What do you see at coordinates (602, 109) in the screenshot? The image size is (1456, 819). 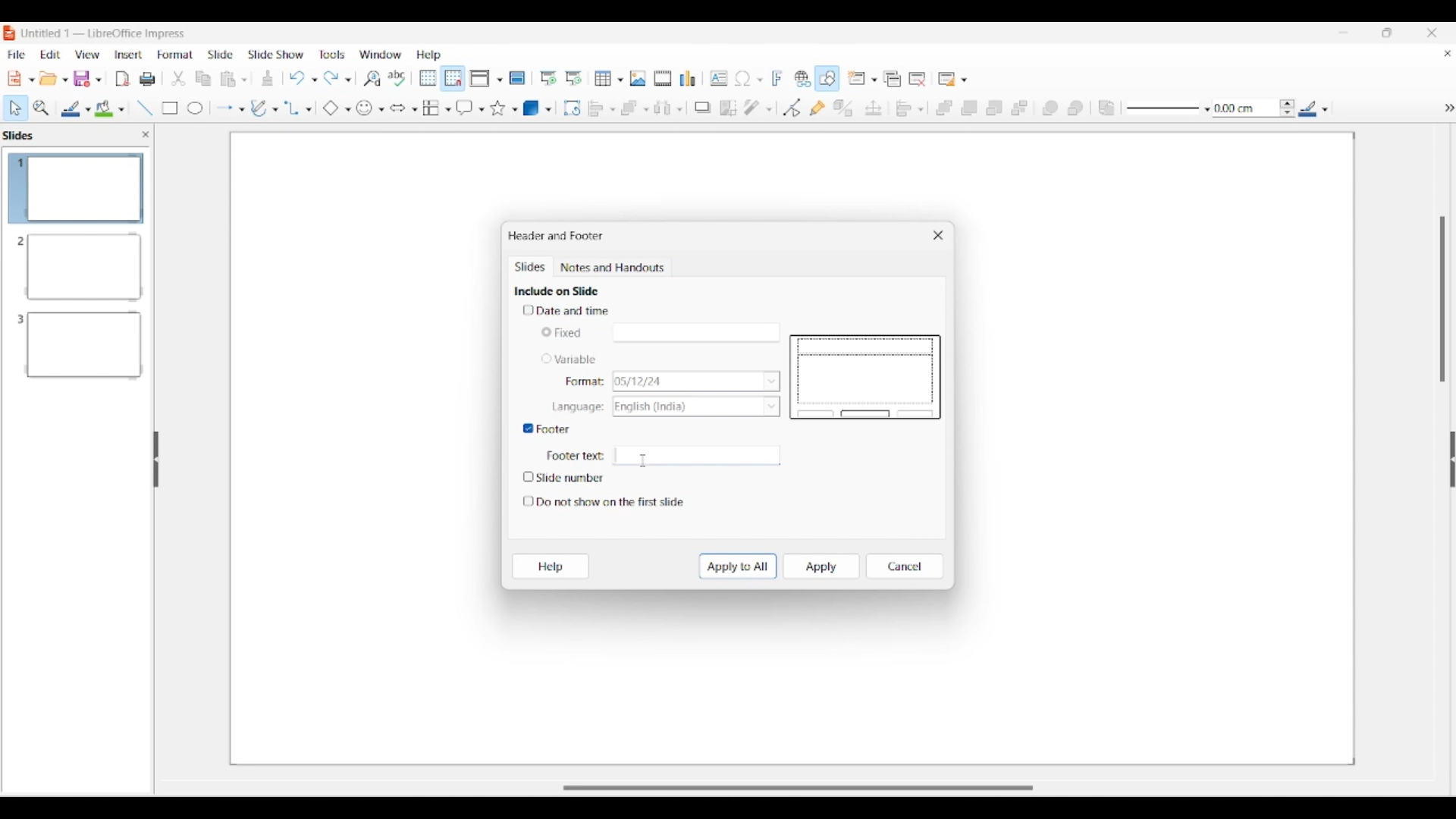 I see `Align object options` at bounding box center [602, 109].